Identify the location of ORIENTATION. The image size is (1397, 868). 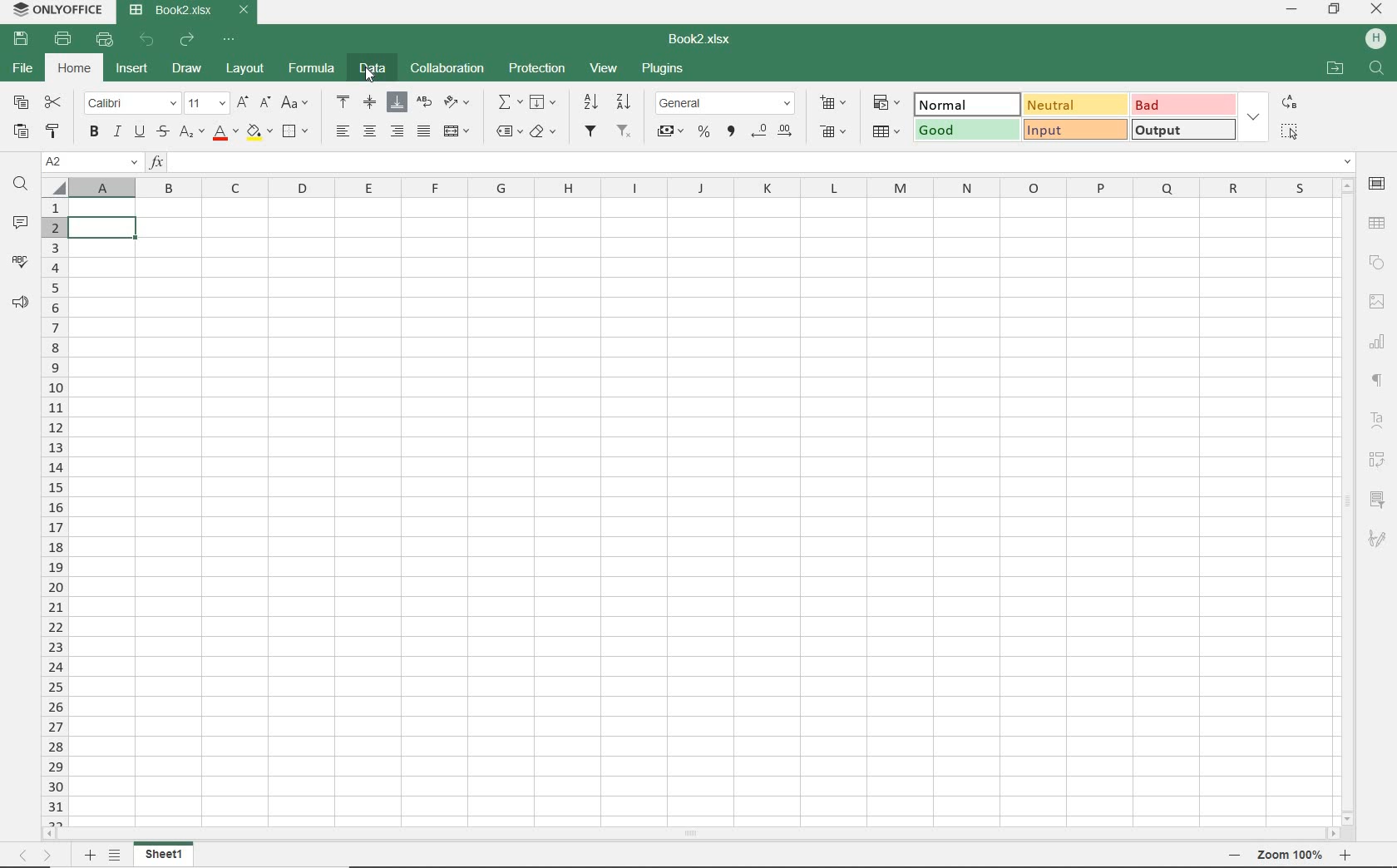
(462, 104).